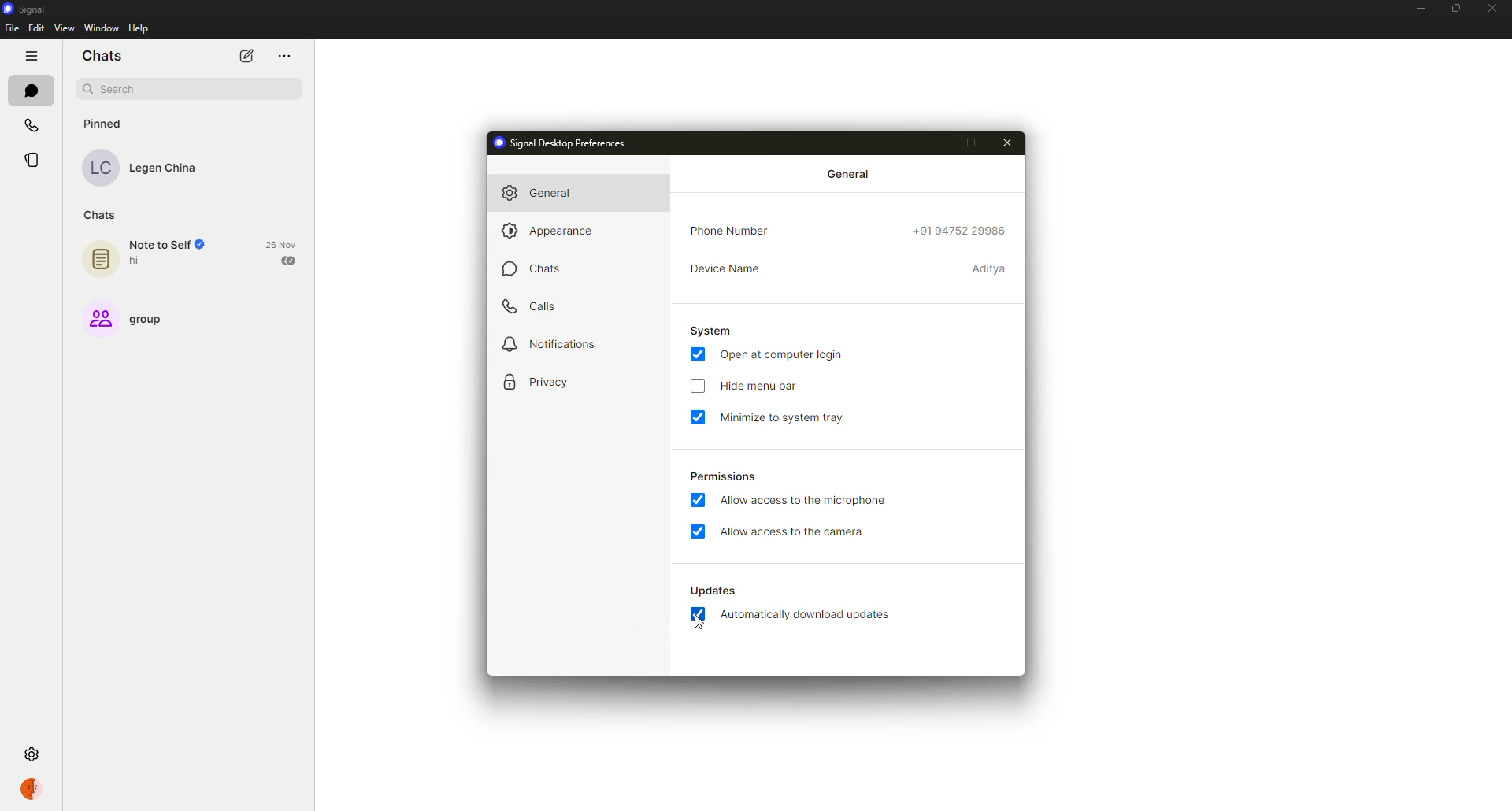 The image size is (1512, 811). Describe the element at coordinates (723, 268) in the screenshot. I see `device name` at that location.